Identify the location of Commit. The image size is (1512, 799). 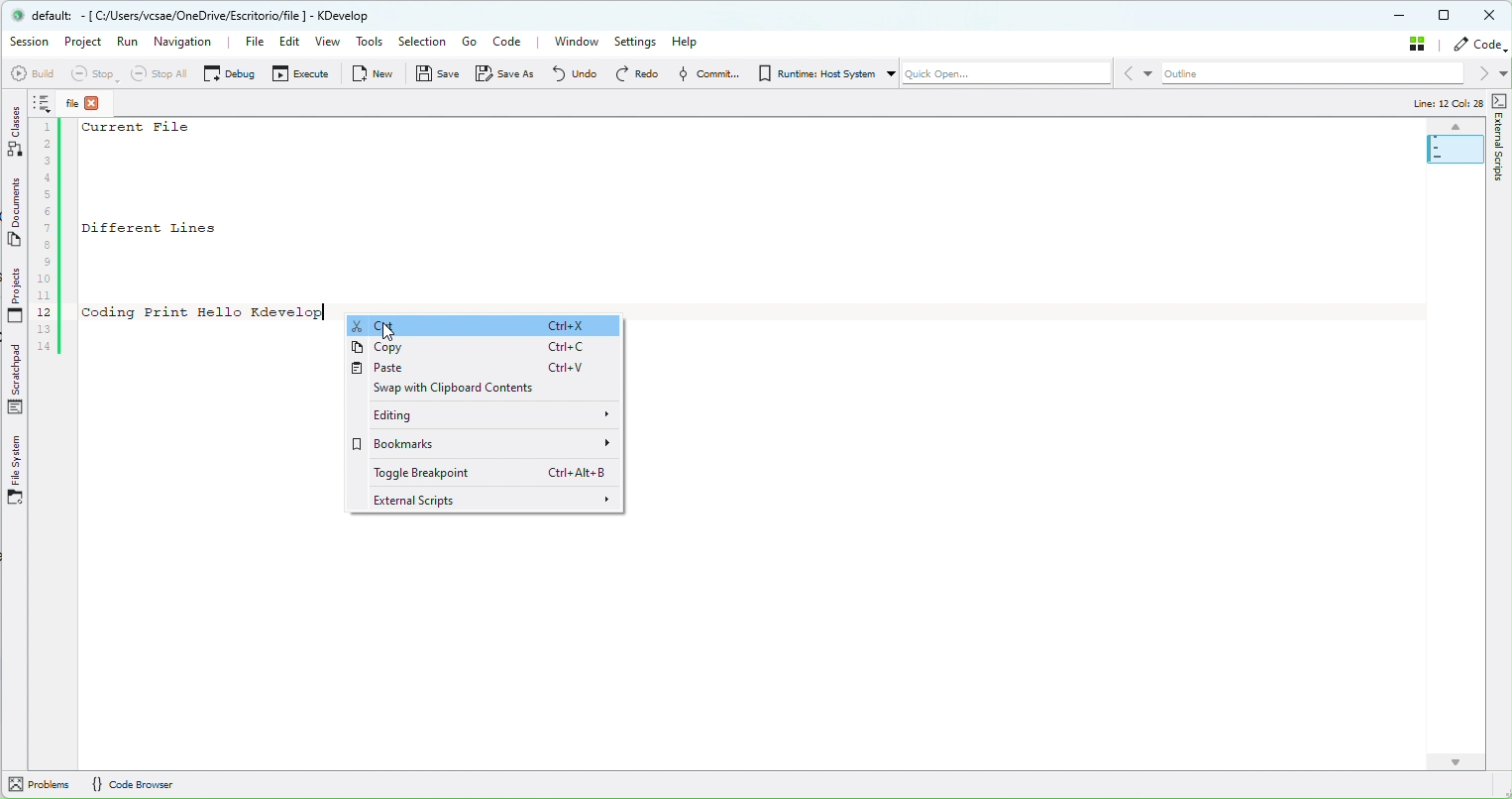
(702, 74).